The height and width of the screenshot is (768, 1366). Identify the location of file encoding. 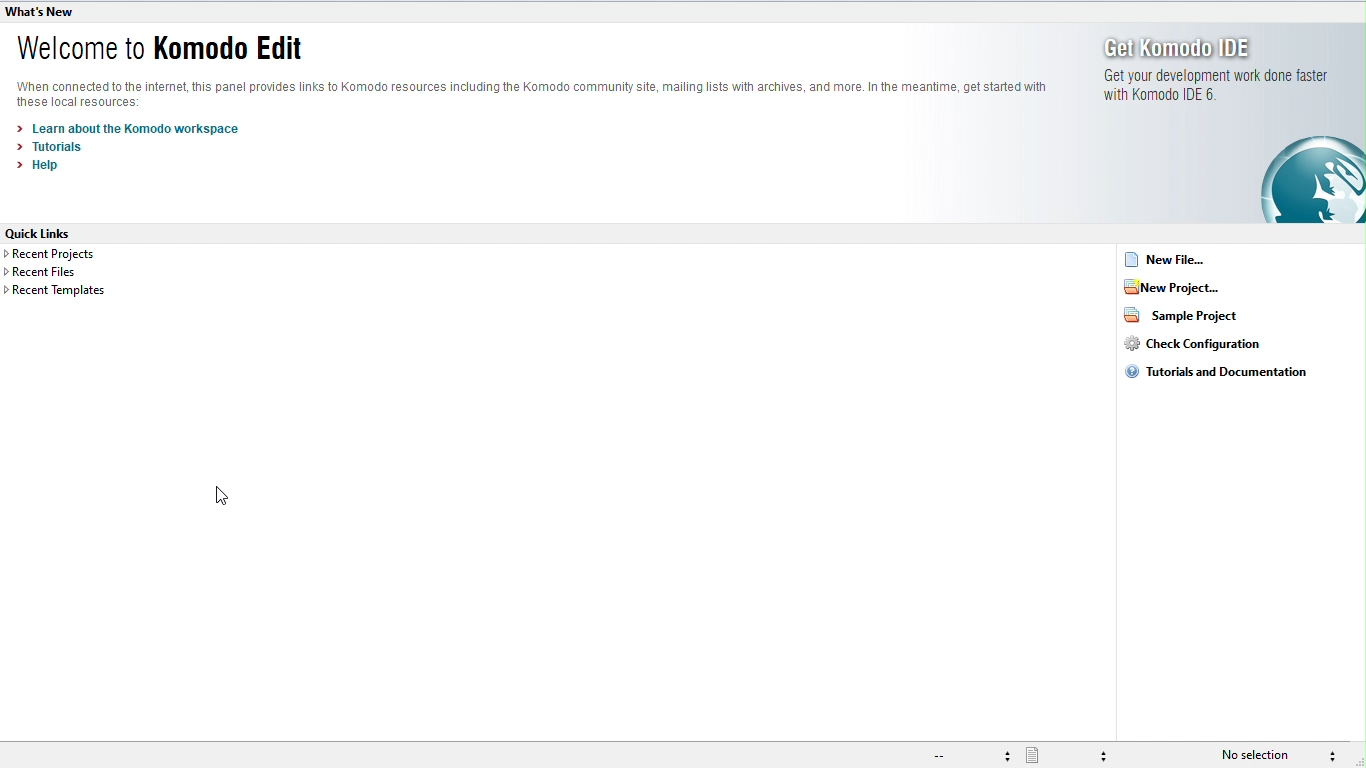
(974, 756).